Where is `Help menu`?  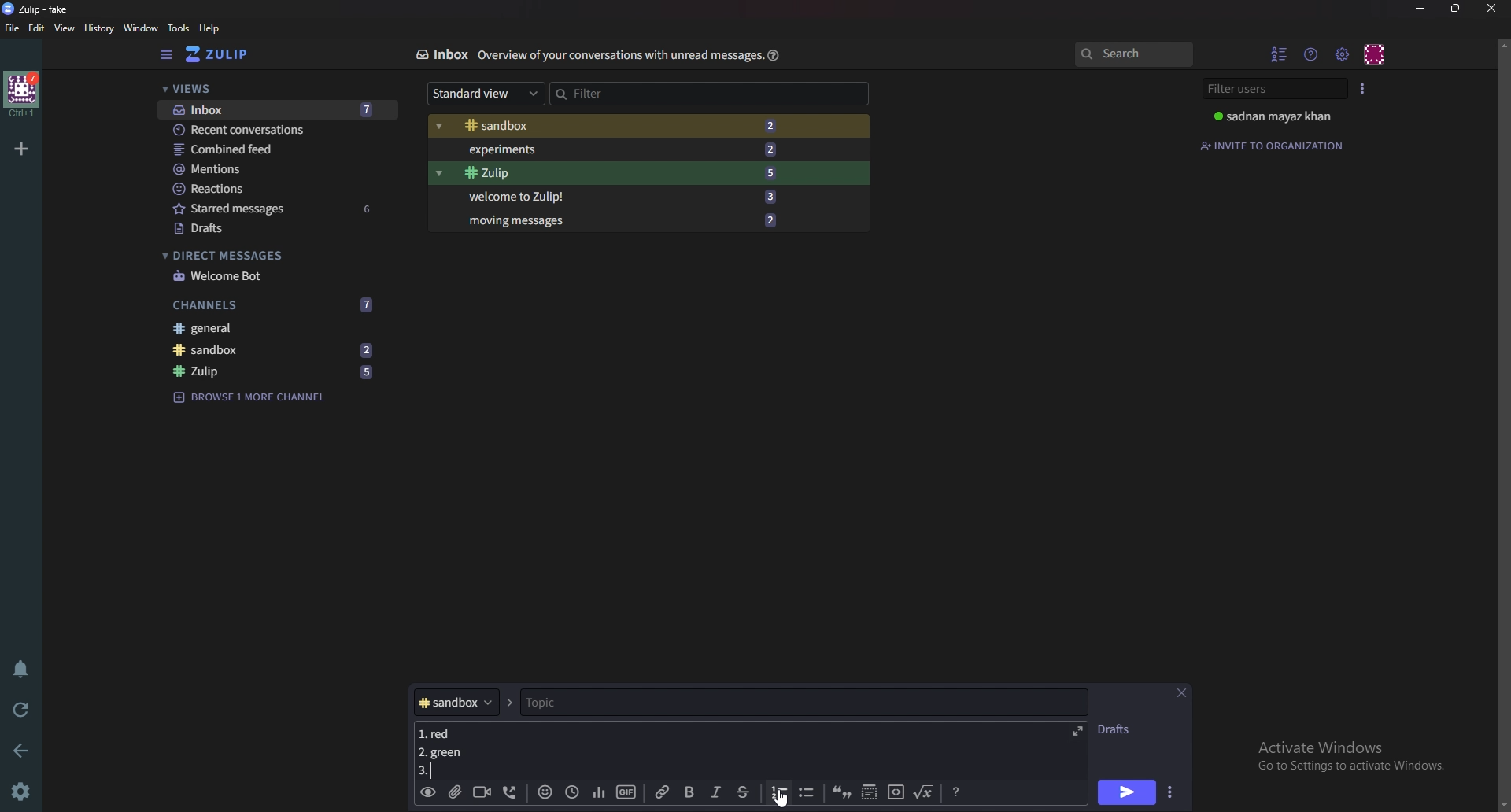
Help menu is located at coordinates (1313, 54).